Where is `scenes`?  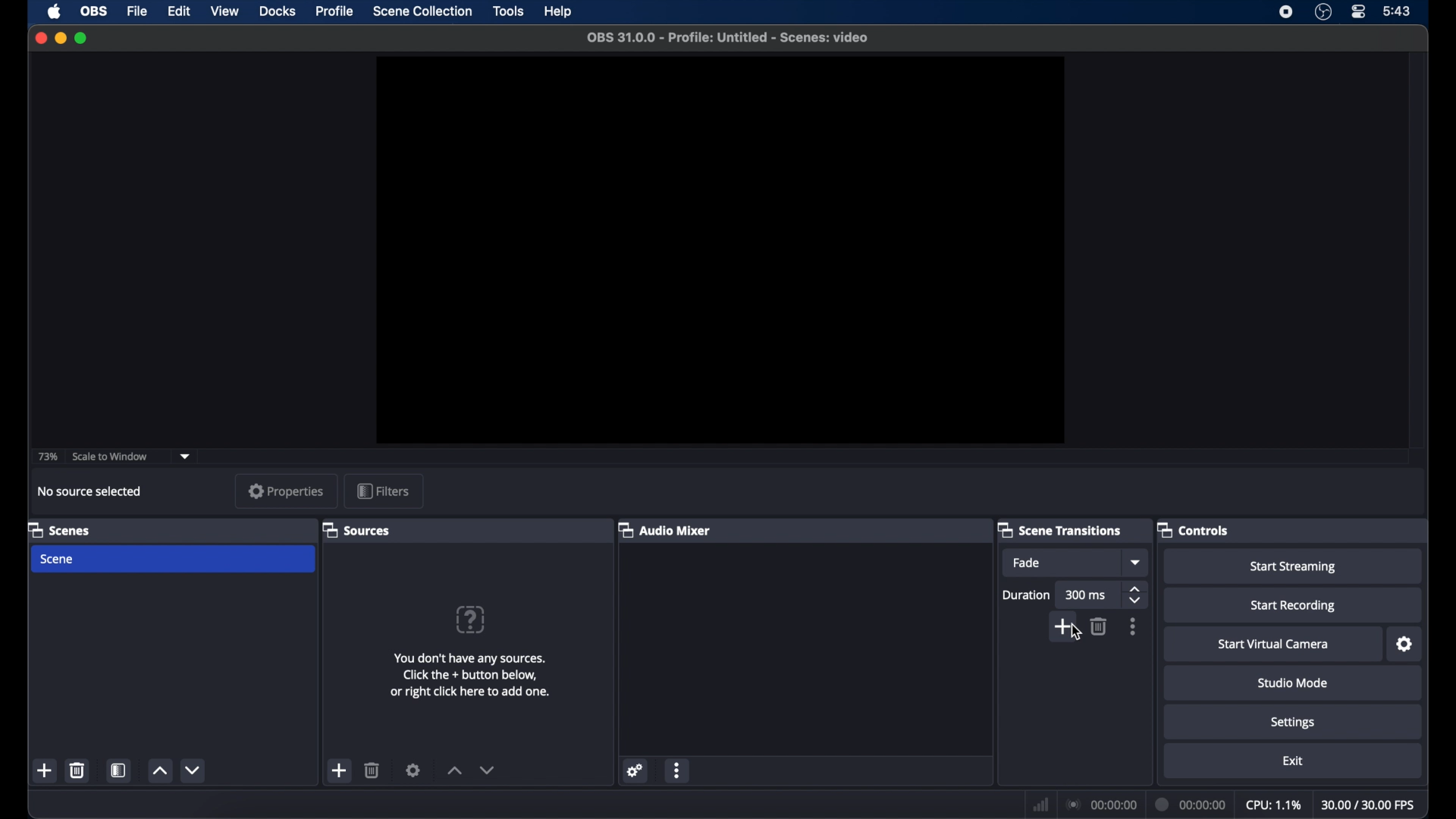
scenes is located at coordinates (62, 529).